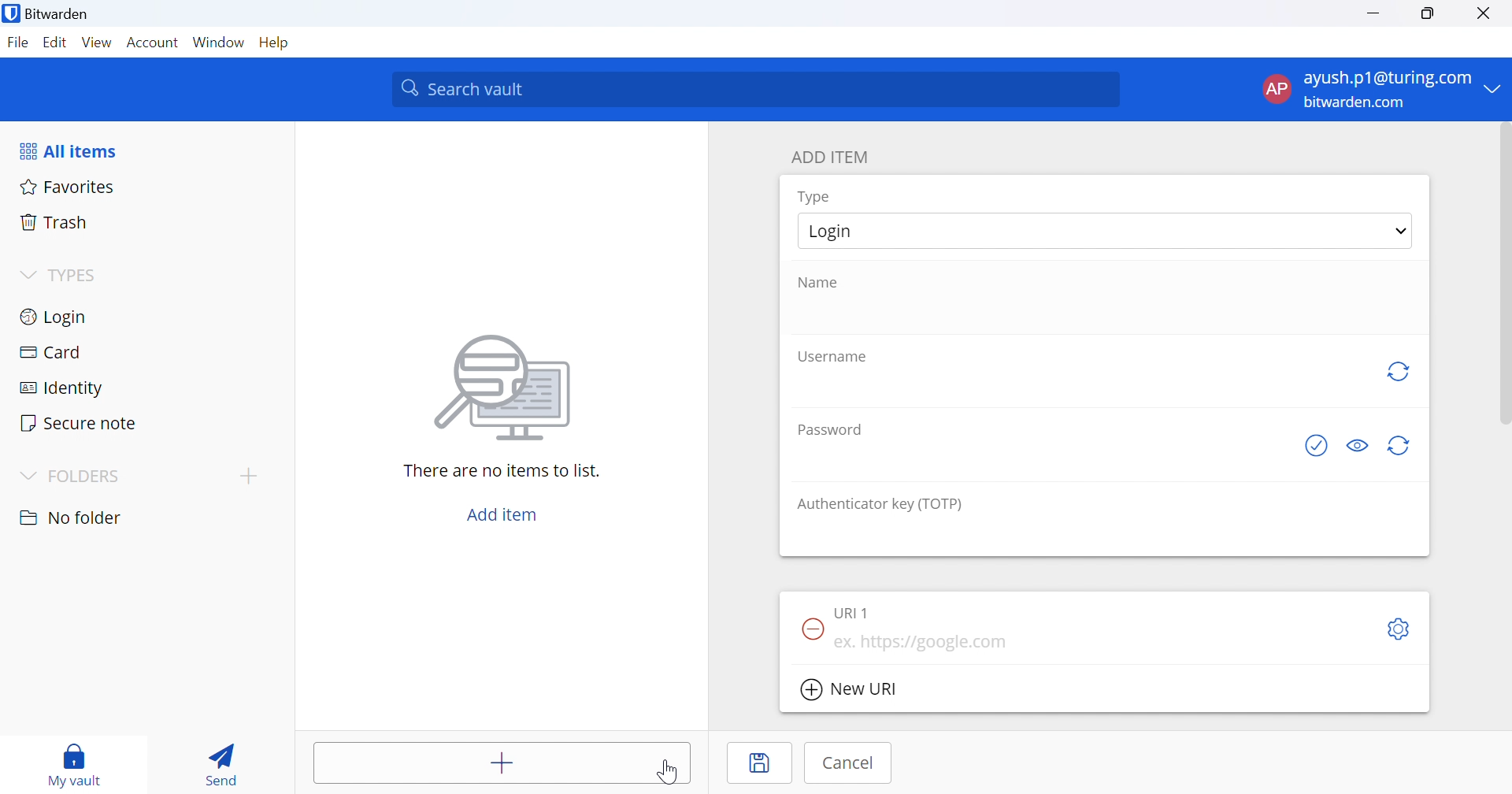 This screenshot has width=1512, height=794. I want to click on No folder, so click(72, 518).